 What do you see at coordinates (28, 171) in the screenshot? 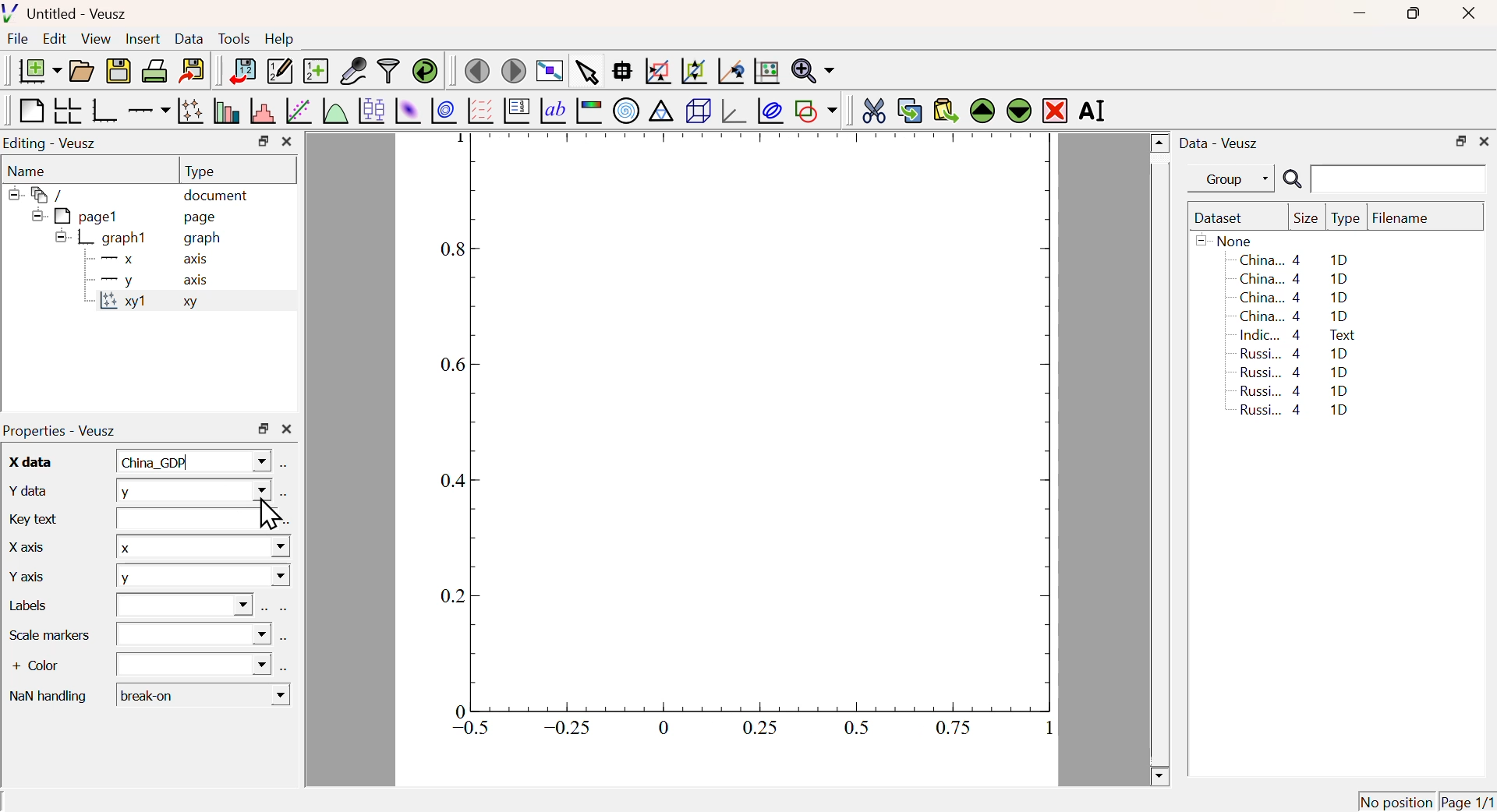
I see `Name` at bounding box center [28, 171].